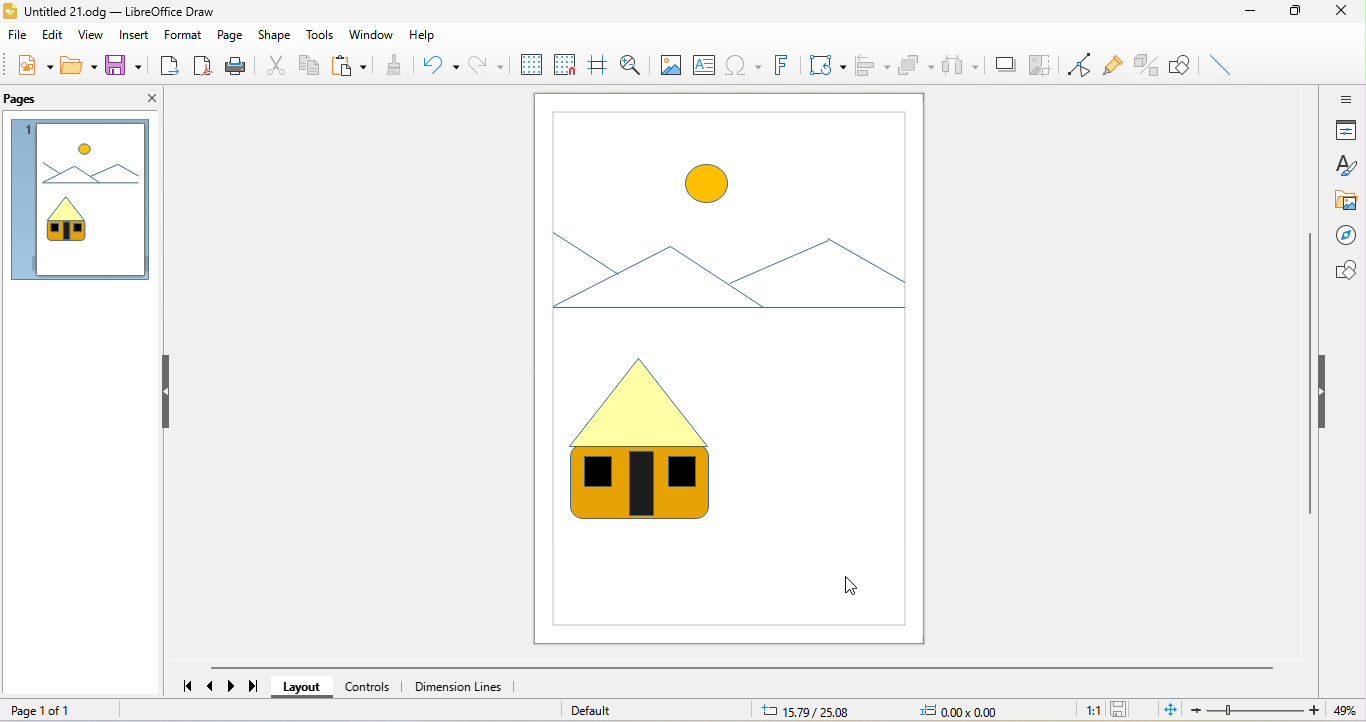 The height and width of the screenshot is (722, 1366). What do you see at coordinates (182, 682) in the screenshot?
I see `first` at bounding box center [182, 682].